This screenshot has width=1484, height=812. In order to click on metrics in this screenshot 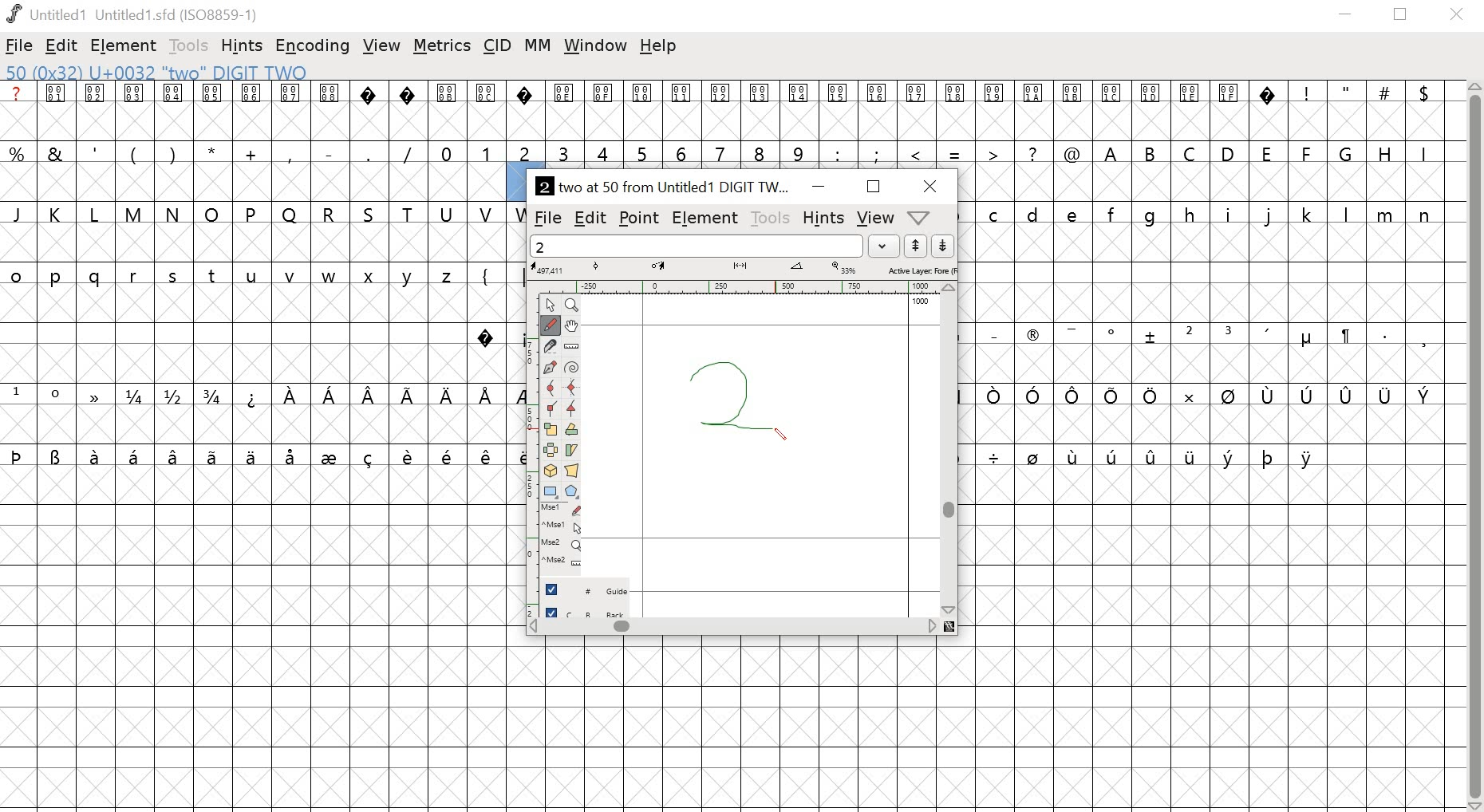, I will do `click(443, 46)`.